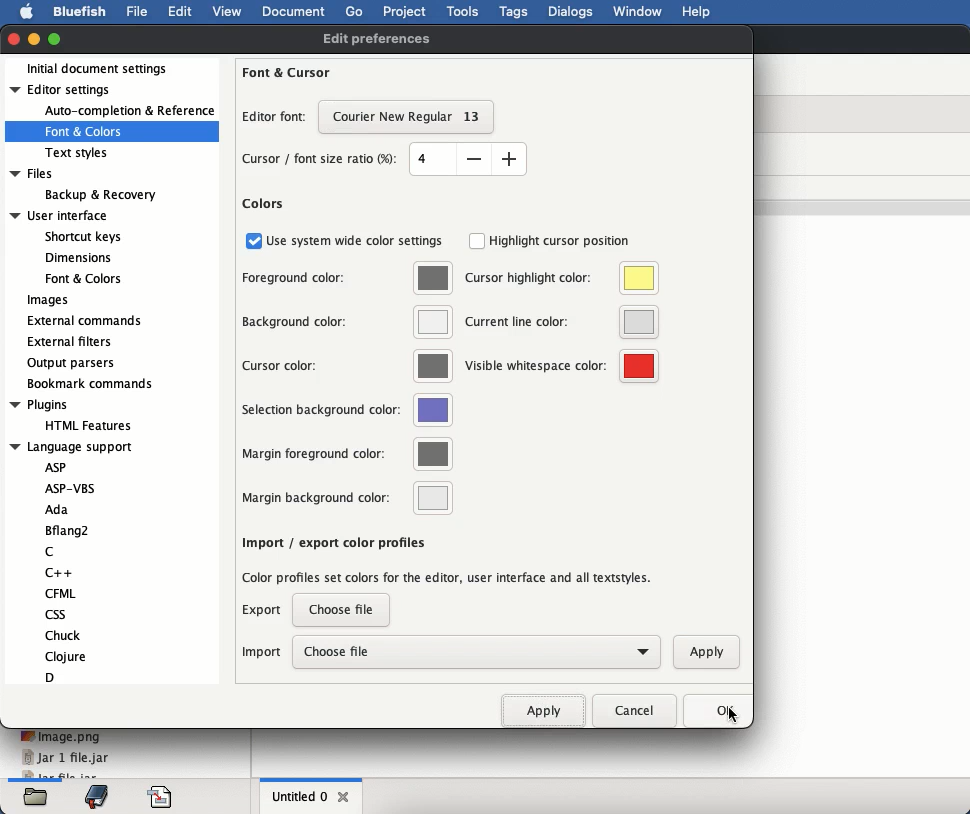  What do you see at coordinates (344, 541) in the screenshot?
I see `insert spaces instead of tabs` at bounding box center [344, 541].